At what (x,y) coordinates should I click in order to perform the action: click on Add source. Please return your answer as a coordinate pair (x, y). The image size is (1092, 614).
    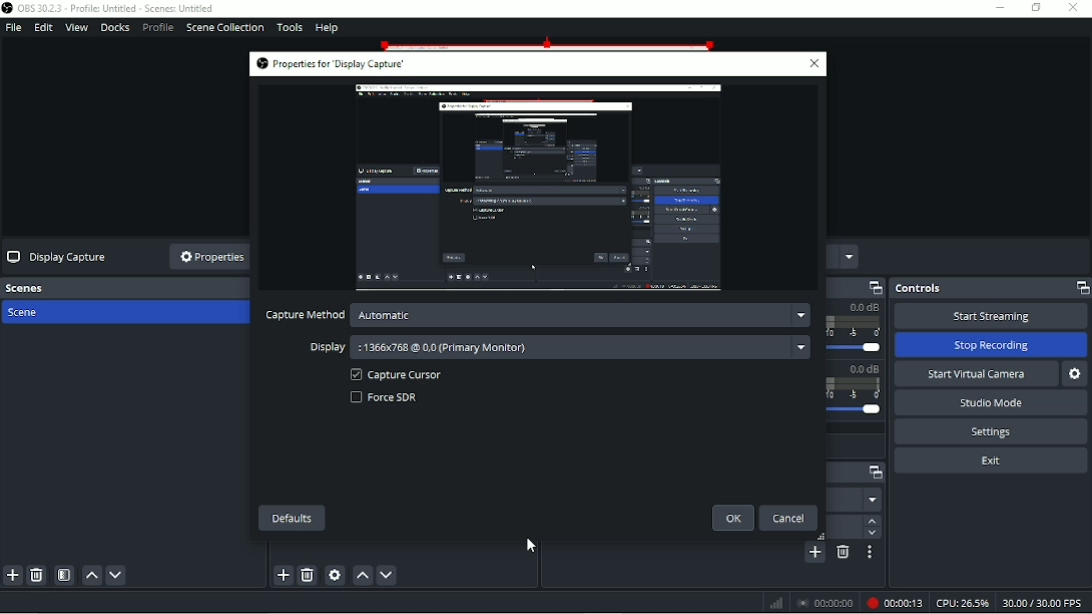
    Looking at the image, I should click on (282, 575).